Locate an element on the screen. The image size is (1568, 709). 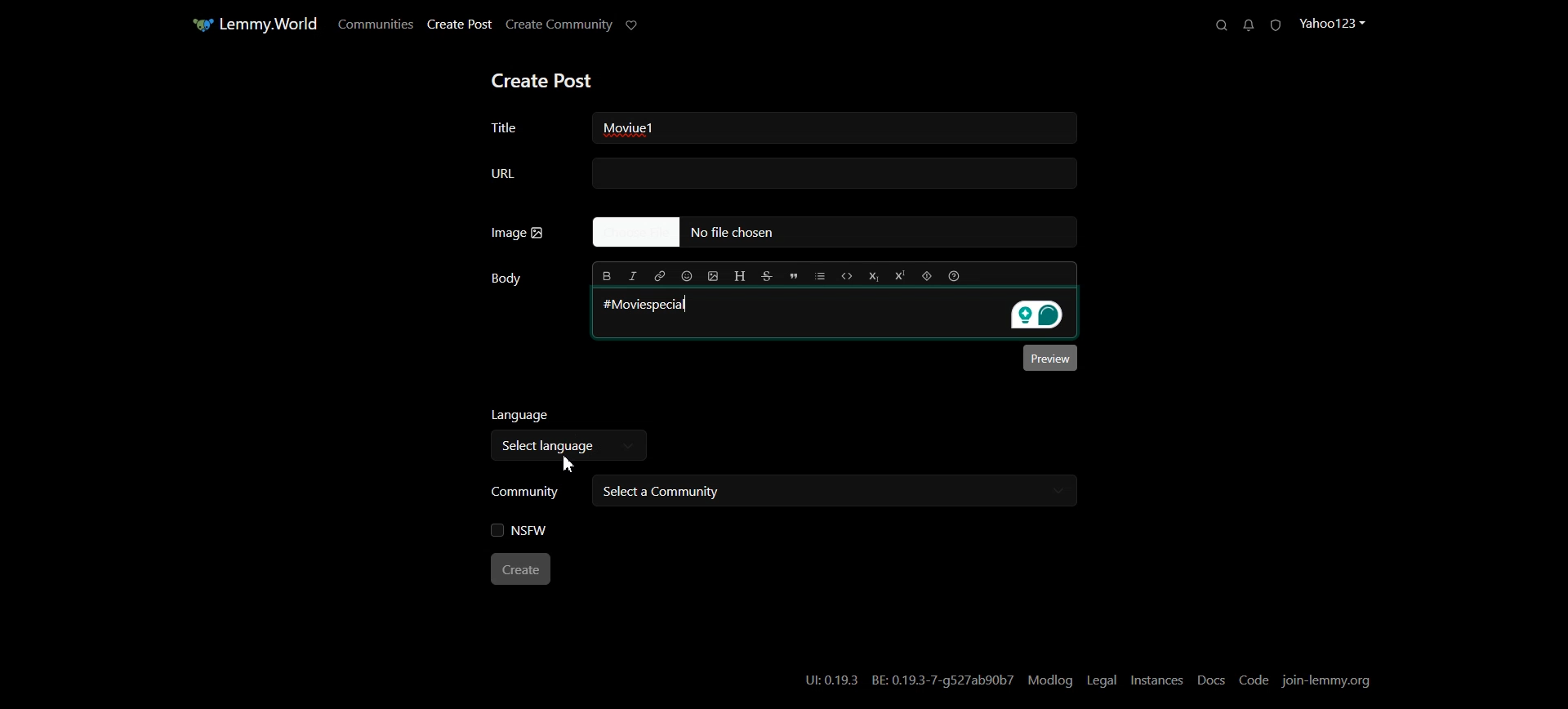
Legal is located at coordinates (1101, 680).